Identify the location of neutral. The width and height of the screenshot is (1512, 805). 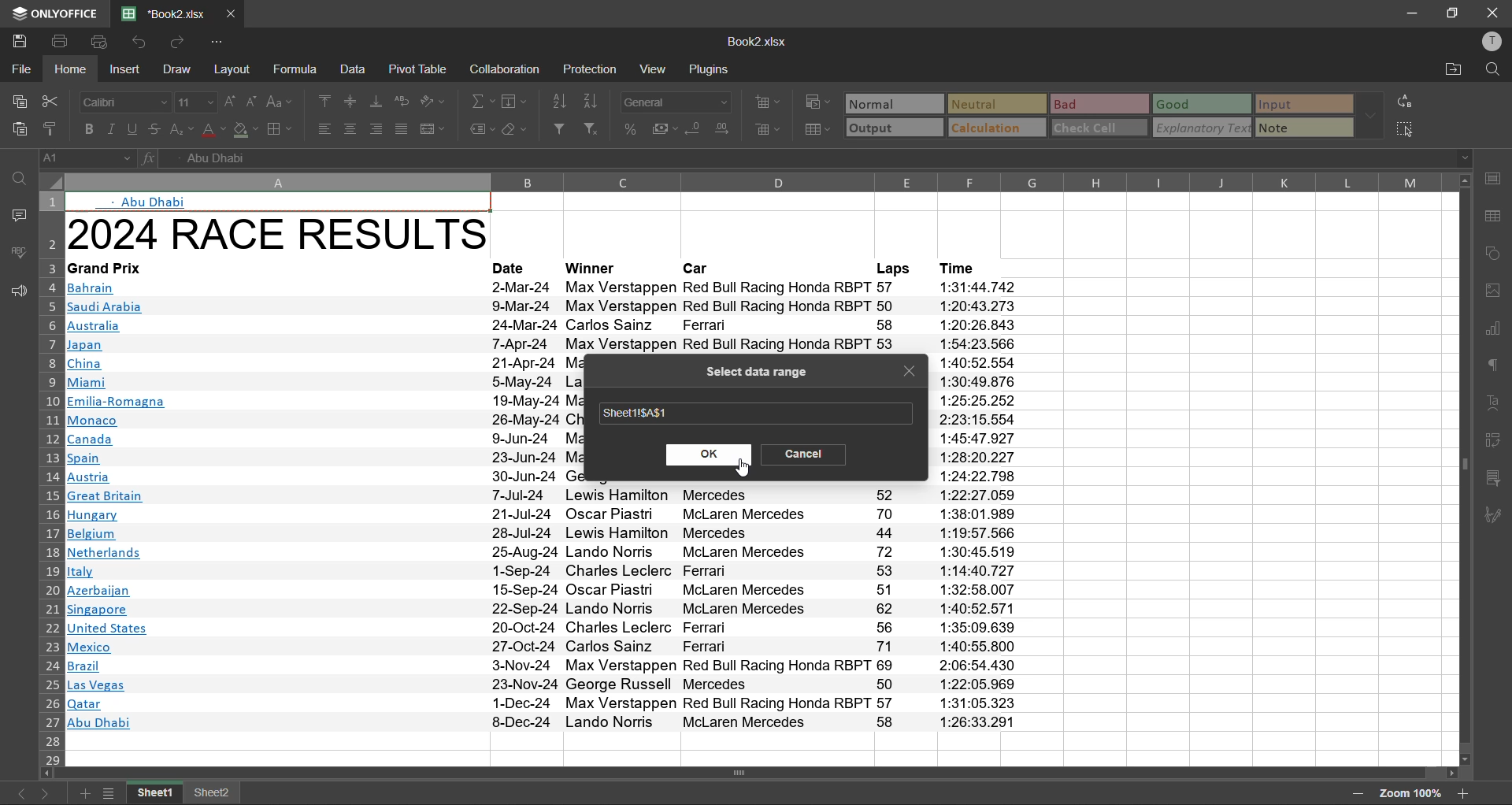
(982, 103).